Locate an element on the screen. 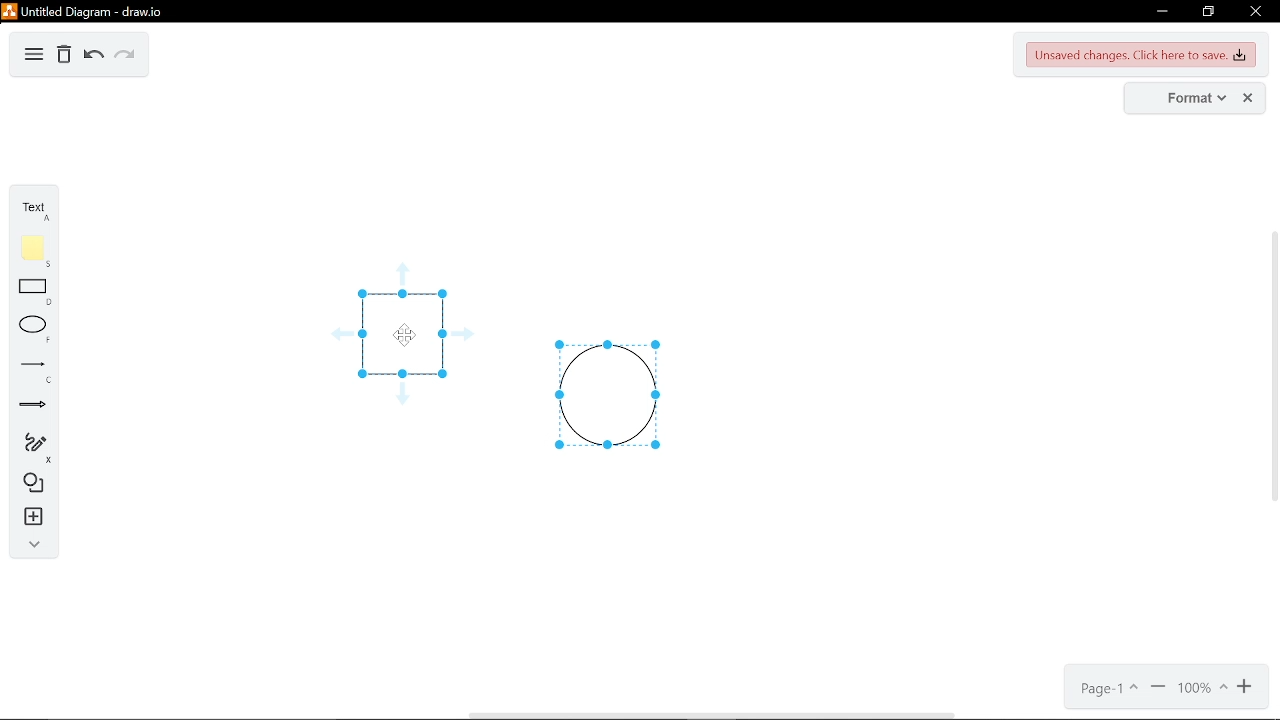  shapes is located at coordinates (30, 484).